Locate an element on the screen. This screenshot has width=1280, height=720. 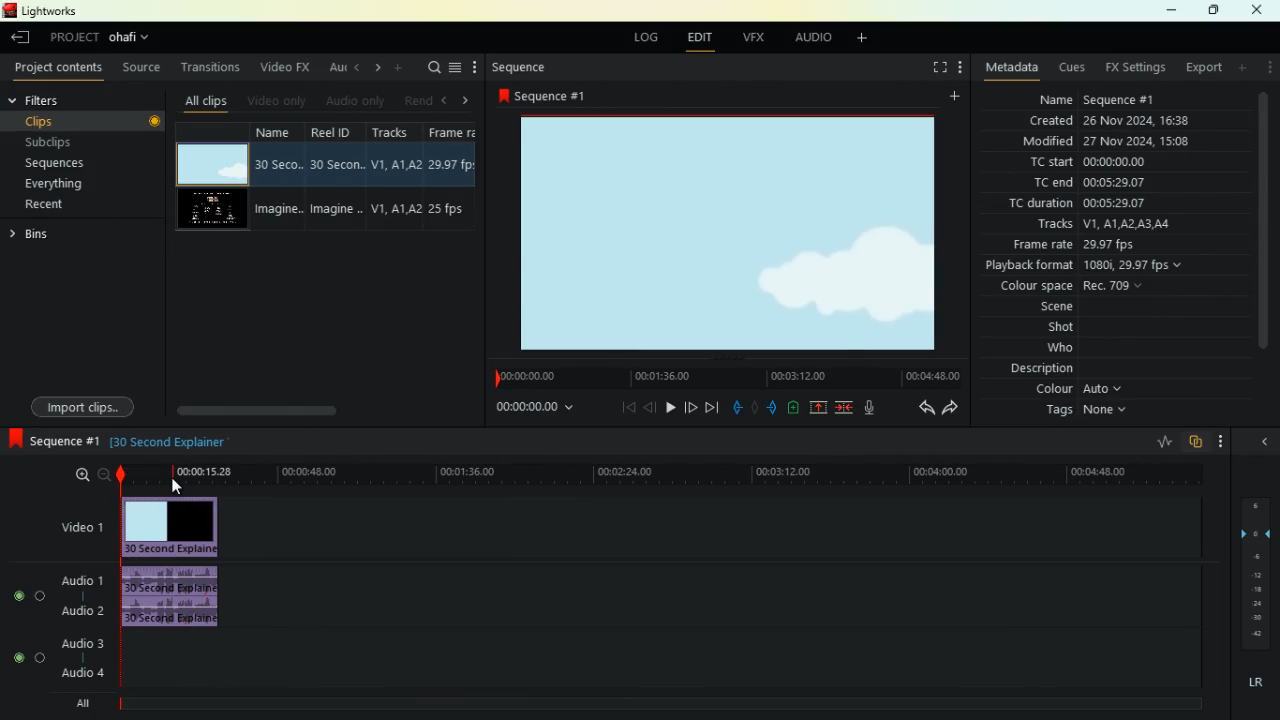
metadata is located at coordinates (1013, 65).